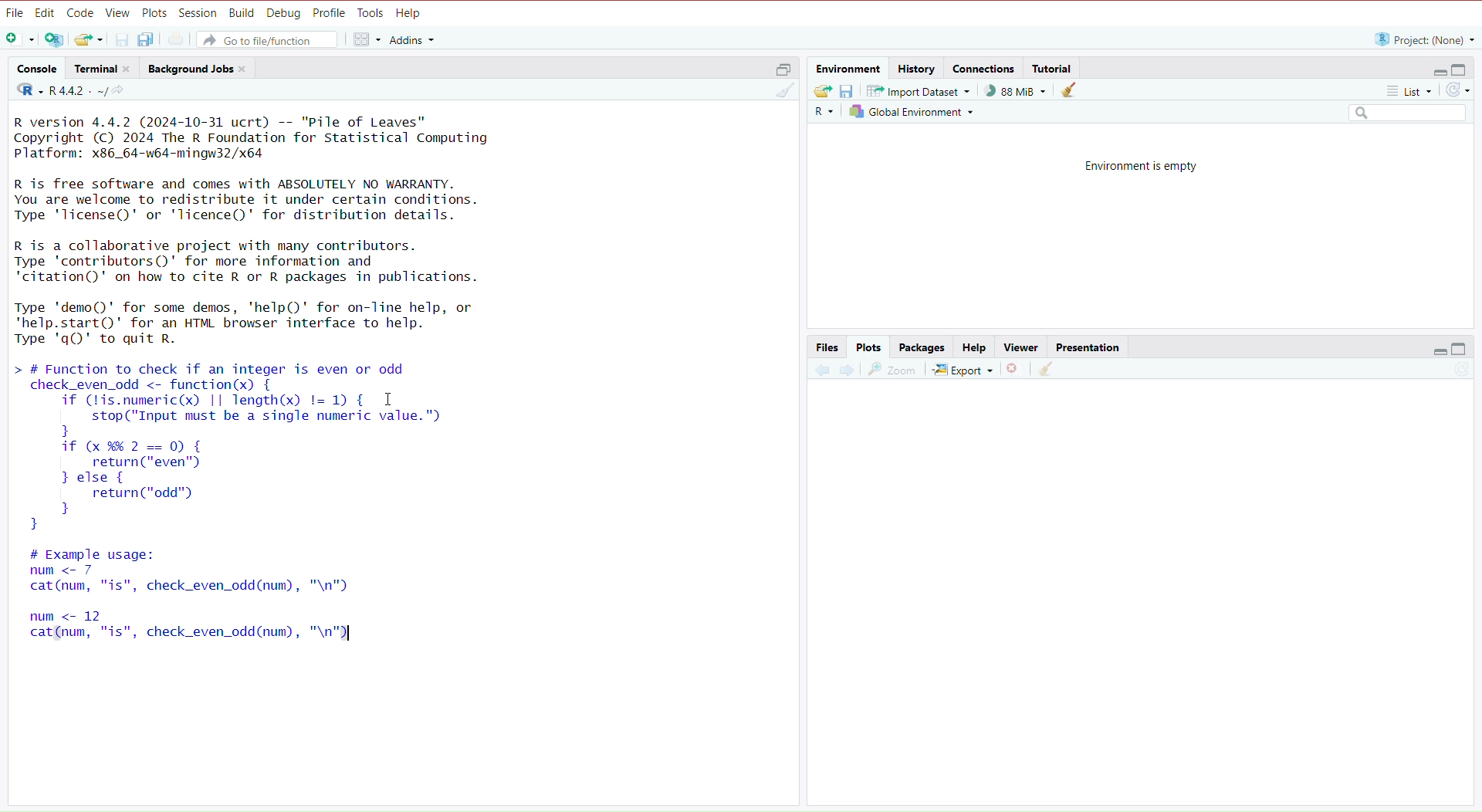  Describe the element at coordinates (123, 92) in the screenshot. I see `view the current working directory` at that location.